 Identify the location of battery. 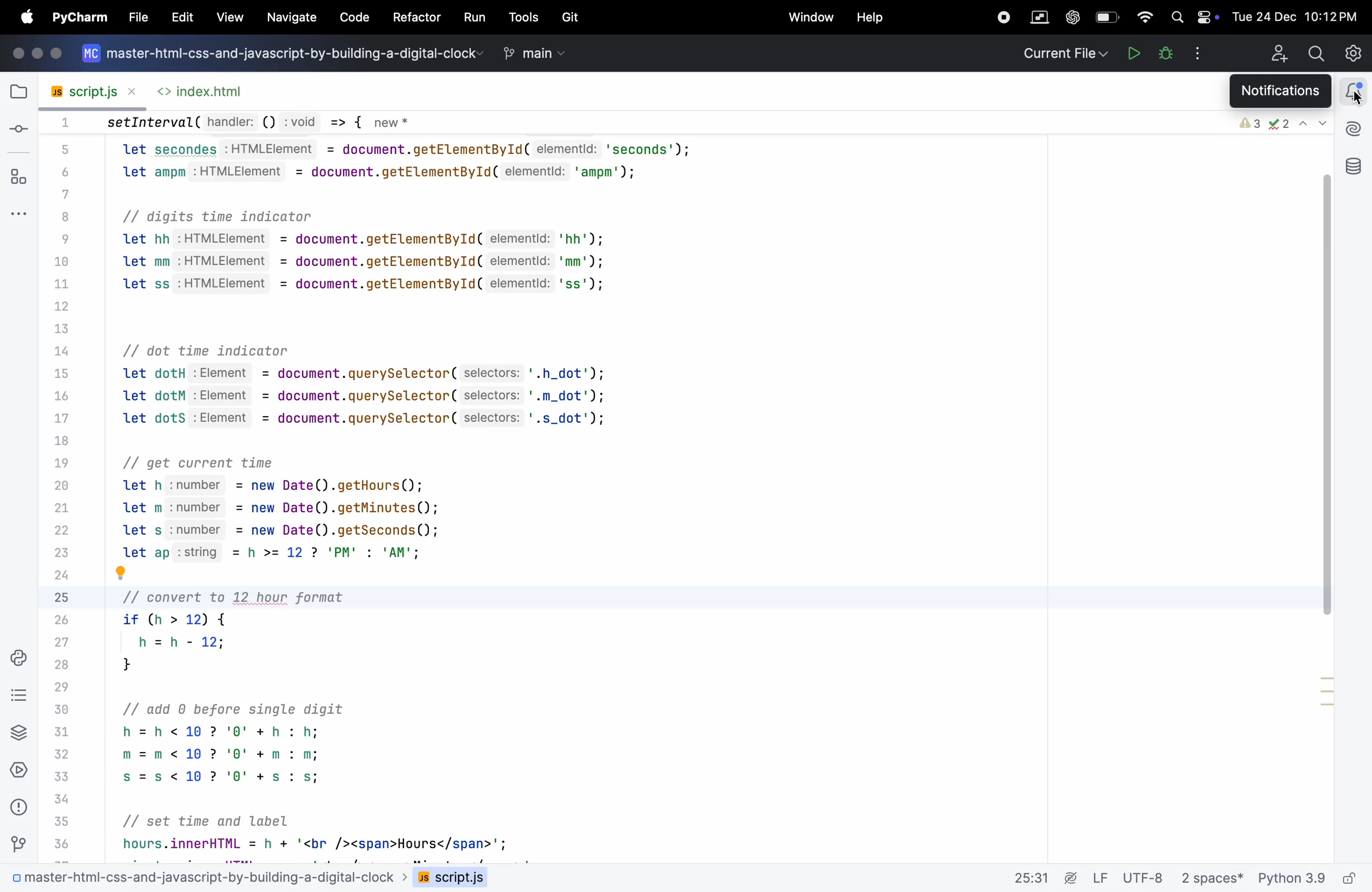
(1208, 17).